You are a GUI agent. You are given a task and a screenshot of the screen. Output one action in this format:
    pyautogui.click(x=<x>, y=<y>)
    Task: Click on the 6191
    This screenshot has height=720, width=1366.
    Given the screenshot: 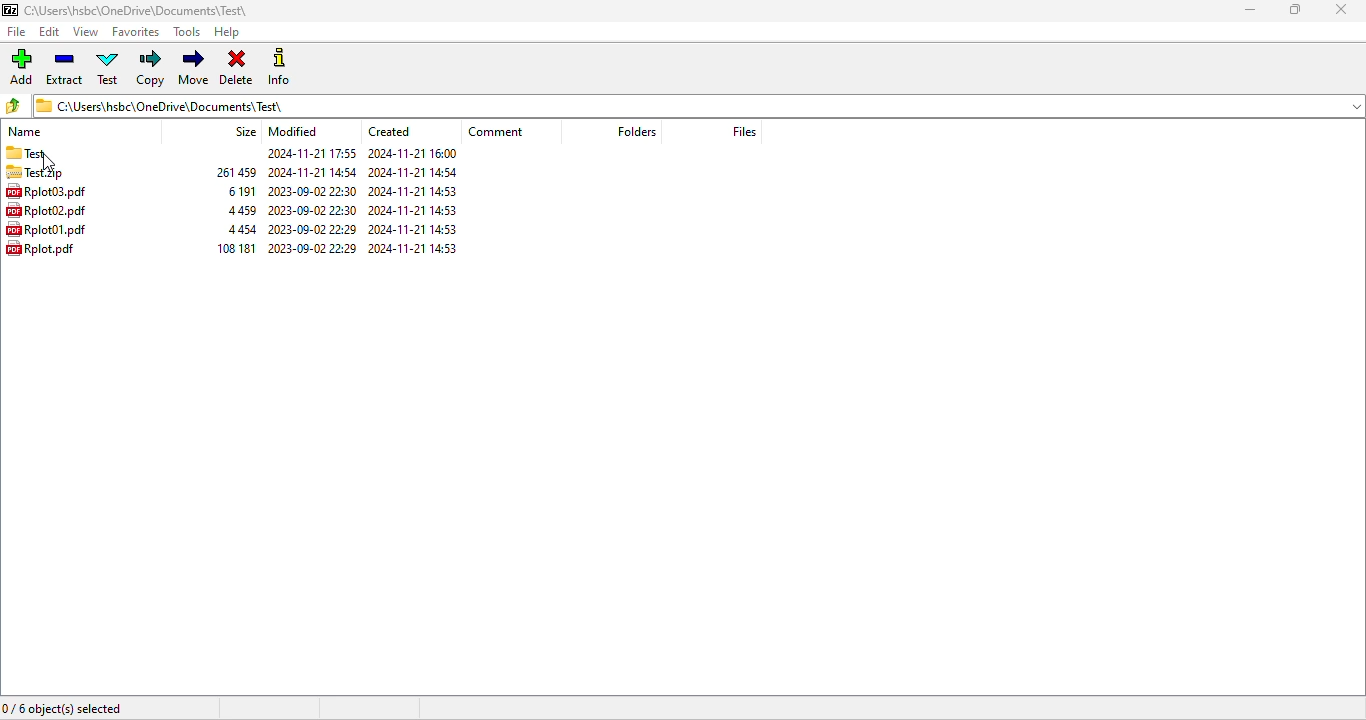 What is the action you would take?
    pyautogui.click(x=240, y=191)
    